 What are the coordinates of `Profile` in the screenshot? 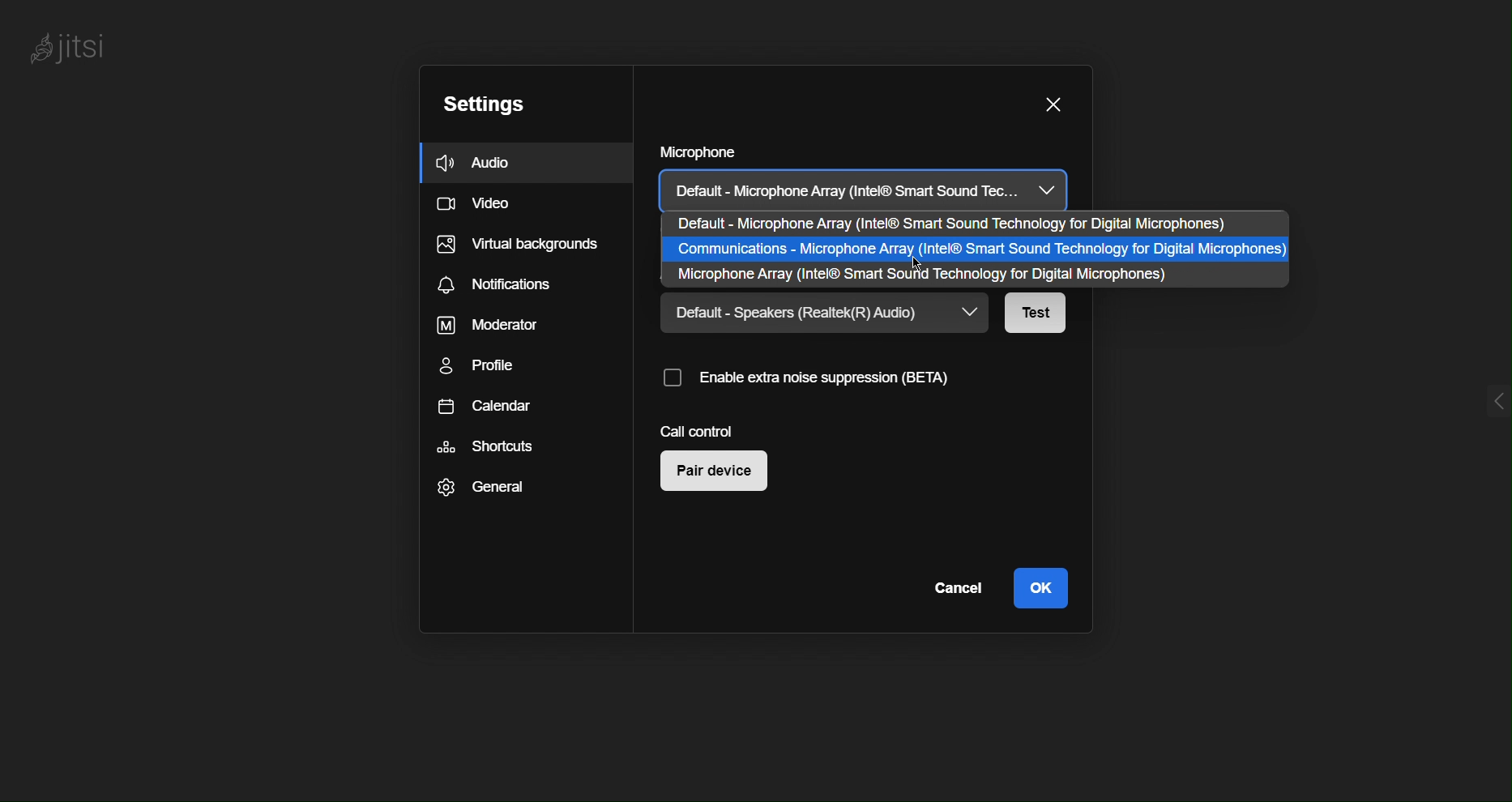 It's located at (483, 367).